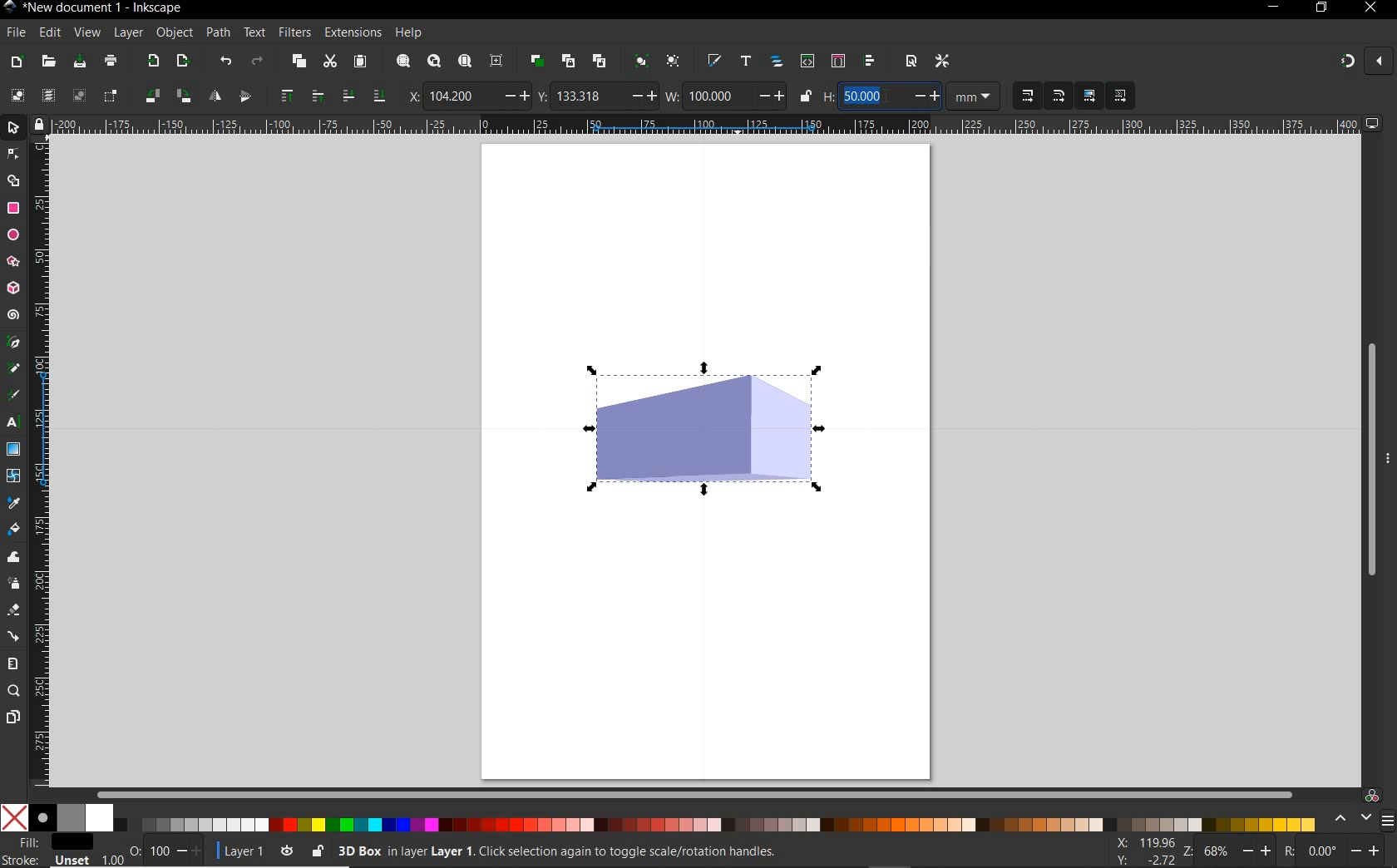 The width and height of the screenshot is (1397, 868). Describe the element at coordinates (38, 124) in the screenshot. I see `lock` at that location.